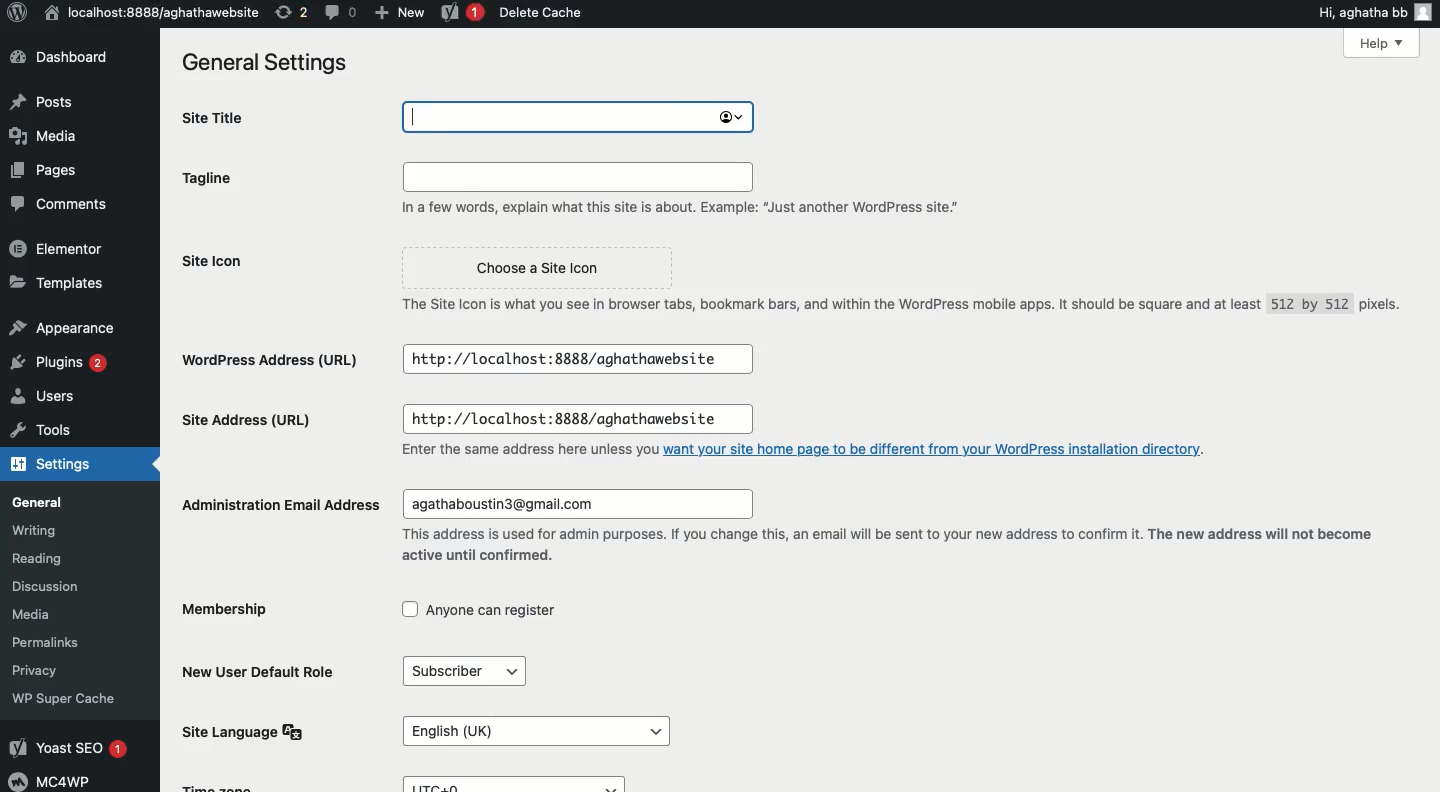  Describe the element at coordinates (527, 451) in the screenshot. I see `Enter the same address here unless you` at that location.